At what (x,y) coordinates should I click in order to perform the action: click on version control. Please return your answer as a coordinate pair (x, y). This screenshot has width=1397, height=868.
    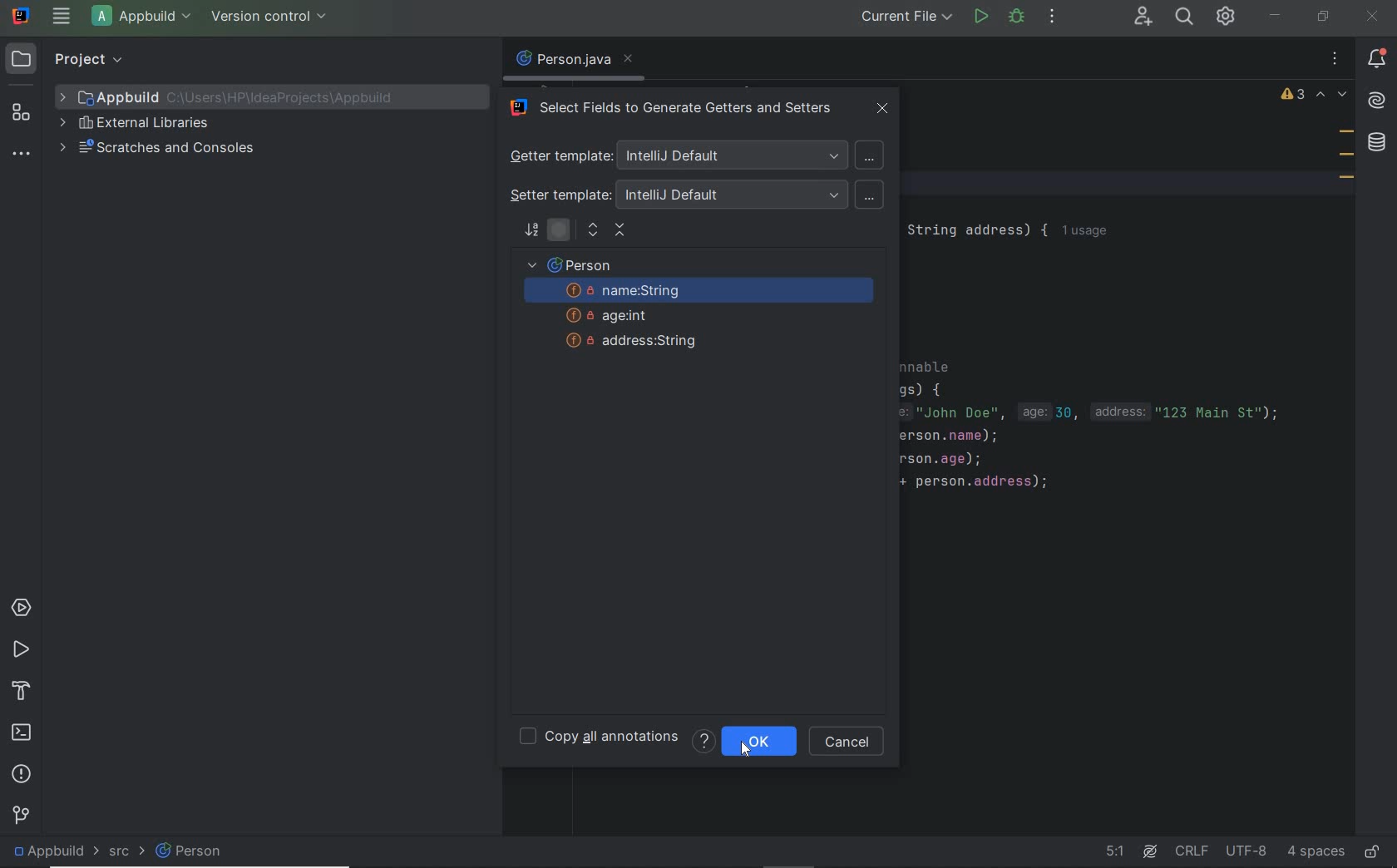
    Looking at the image, I should click on (273, 17).